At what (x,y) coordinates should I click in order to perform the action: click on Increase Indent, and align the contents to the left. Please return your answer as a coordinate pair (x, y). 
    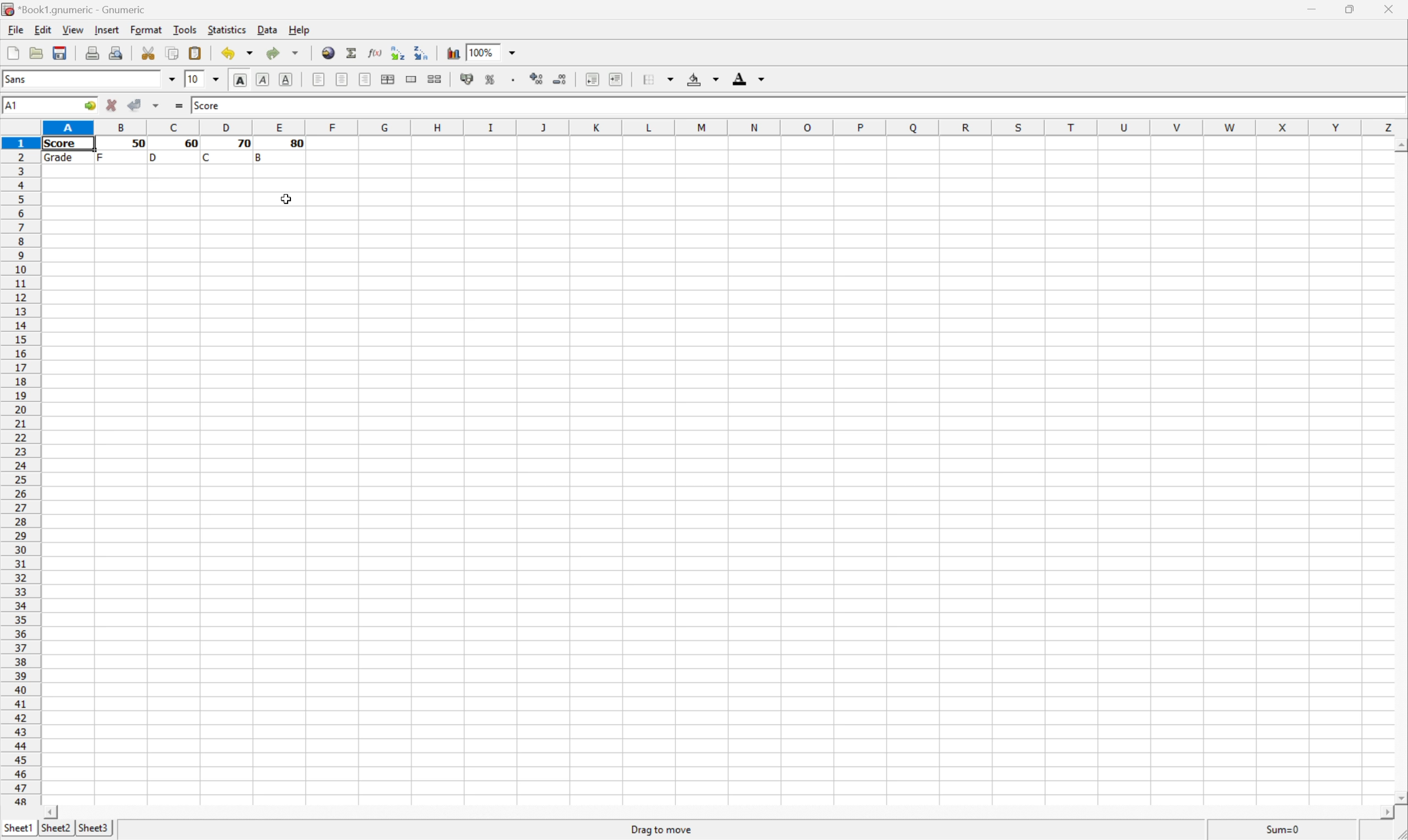
    Looking at the image, I should click on (617, 76).